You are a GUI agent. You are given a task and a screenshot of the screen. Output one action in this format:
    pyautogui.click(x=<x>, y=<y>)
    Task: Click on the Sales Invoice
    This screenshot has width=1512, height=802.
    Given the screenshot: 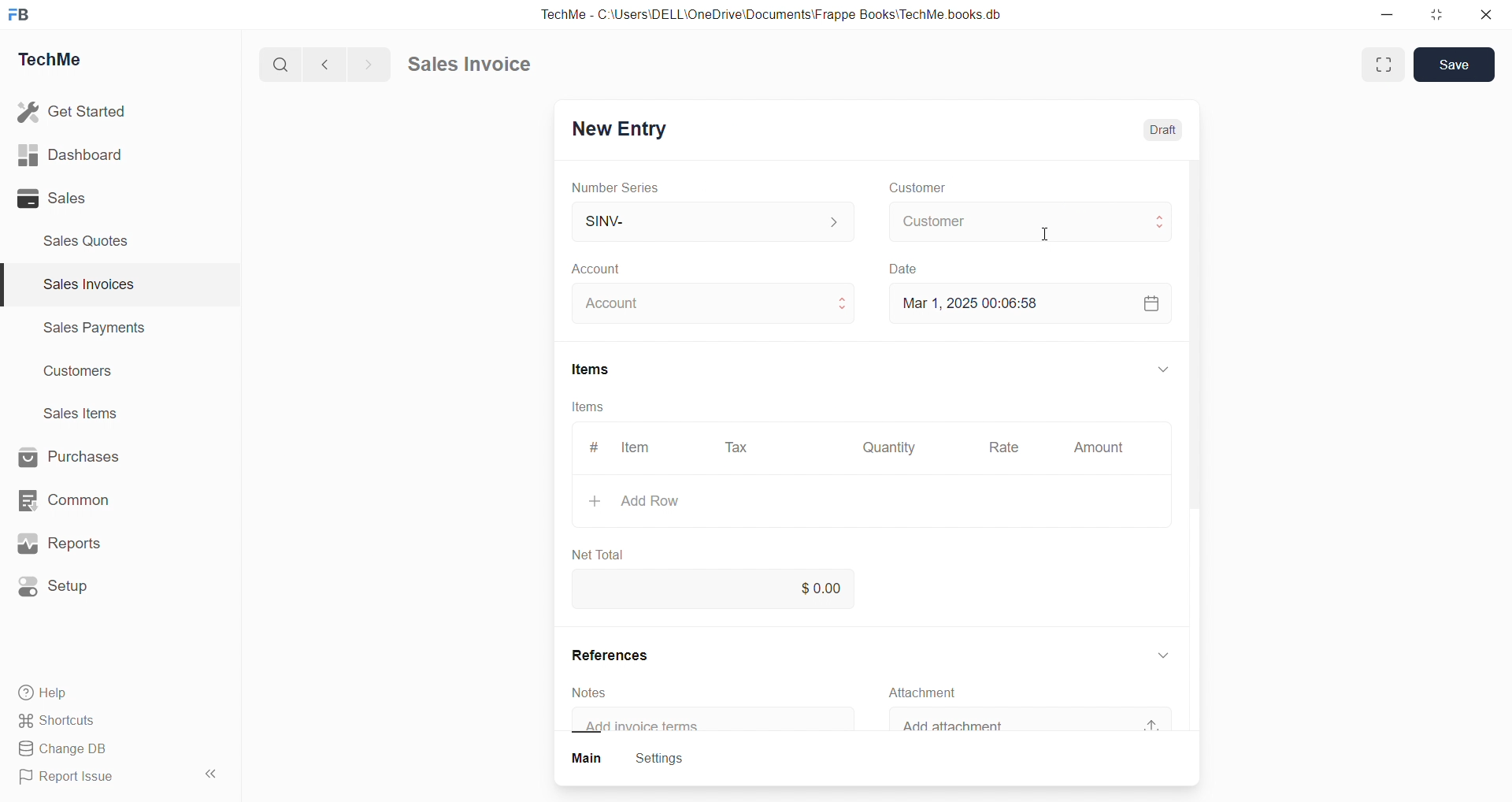 What is the action you would take?
    pyautogui.click(x=476, y=66)
    